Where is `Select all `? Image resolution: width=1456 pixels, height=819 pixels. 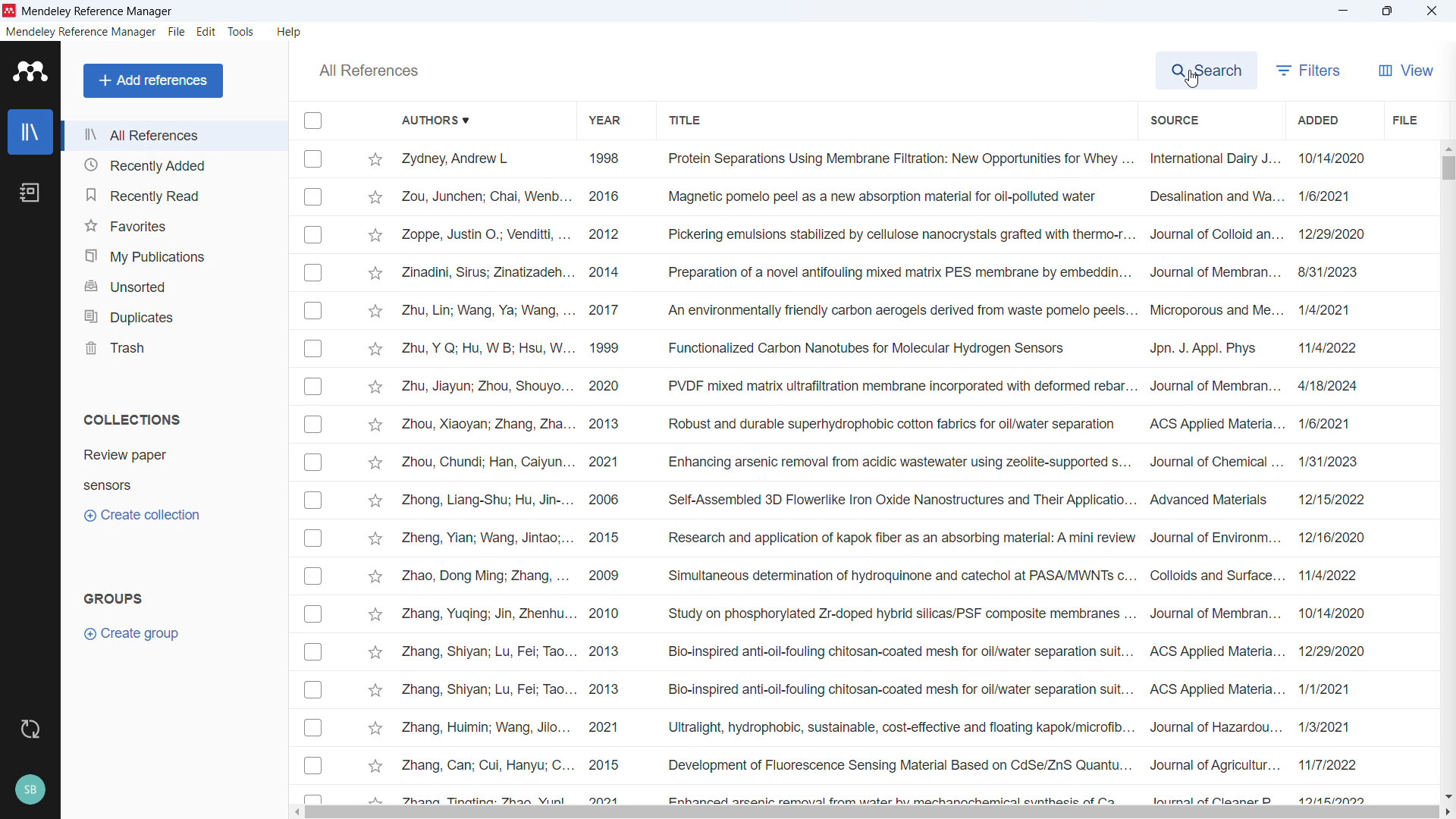 Select all  is located at coordinates (314, 120).